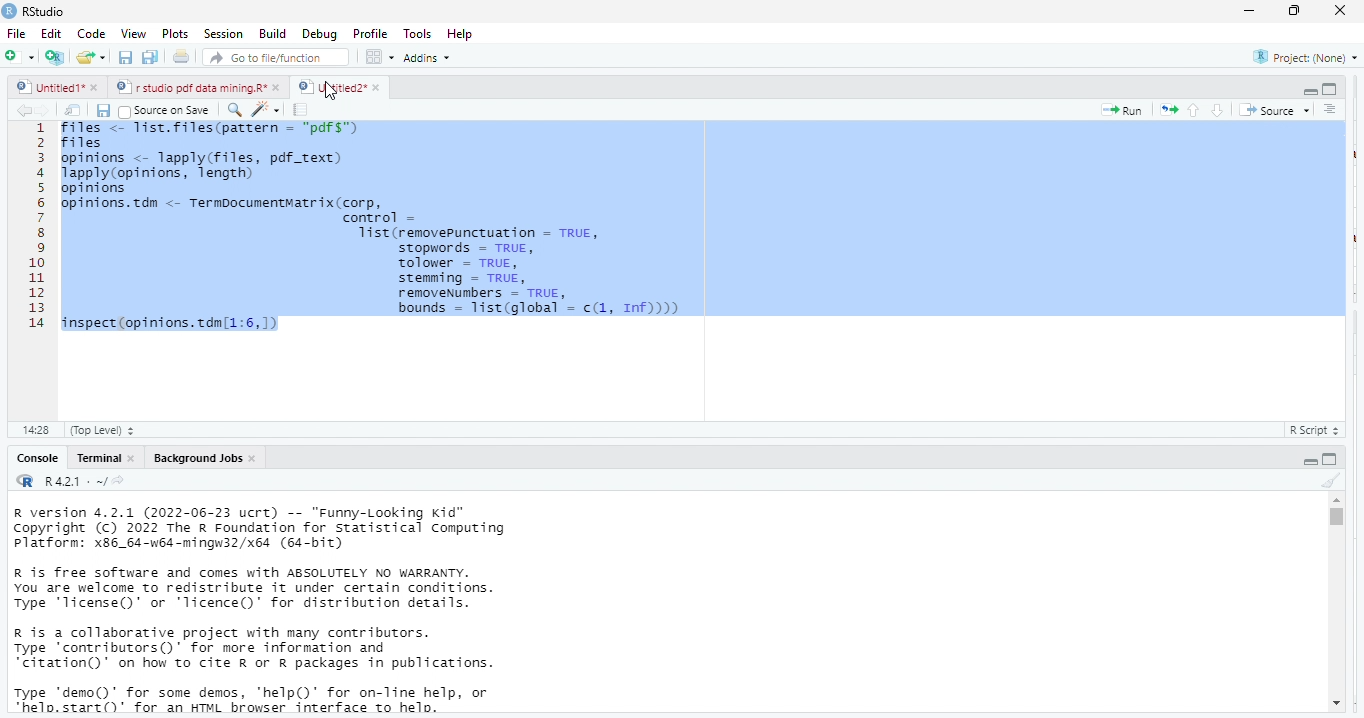  Describe the element at coordinates (273, 33) in the screenshot. I see `build` at that location.